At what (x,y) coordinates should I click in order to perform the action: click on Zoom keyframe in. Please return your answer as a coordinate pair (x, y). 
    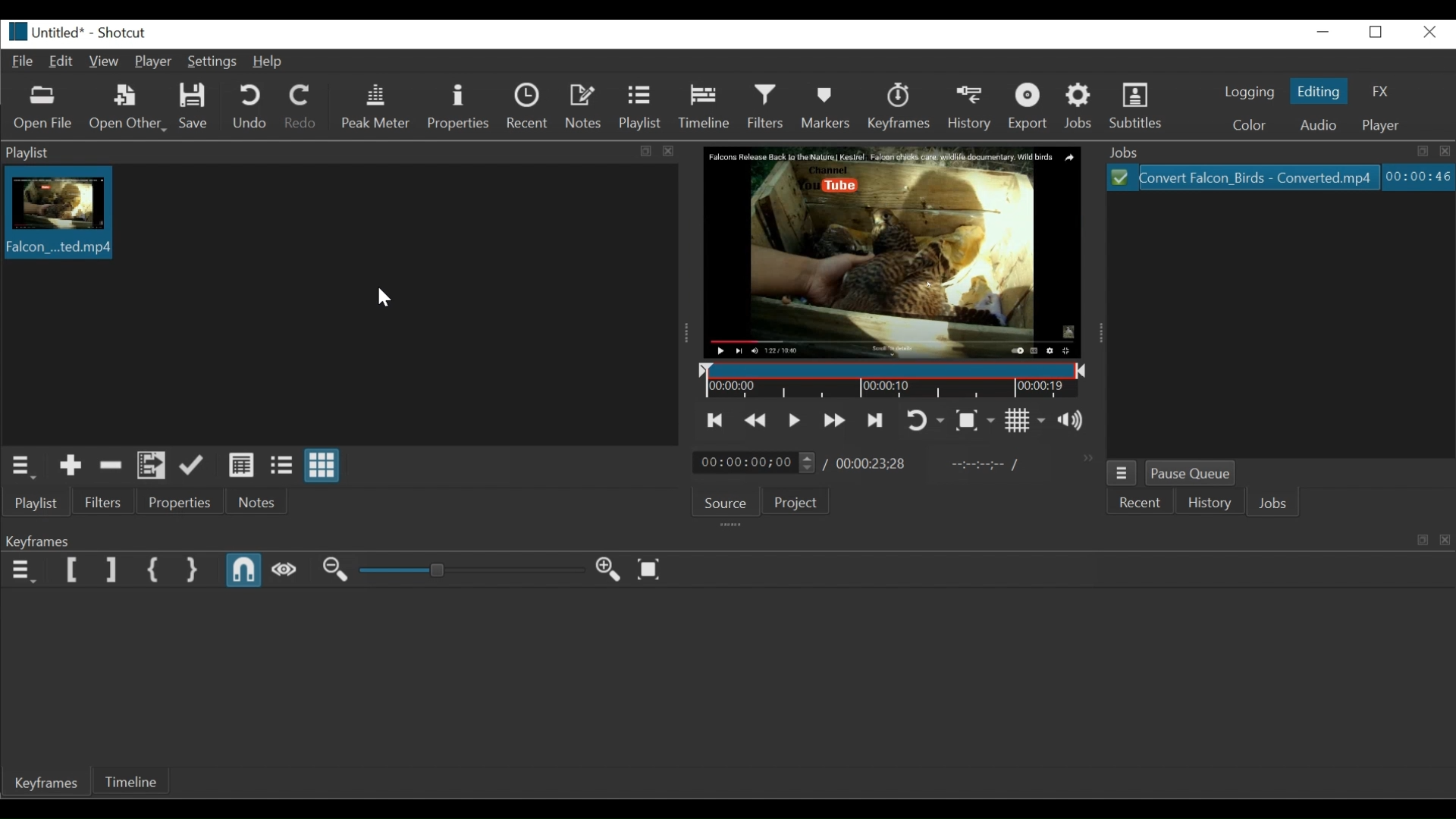
    Looking at the image, I should click on (334, 569).